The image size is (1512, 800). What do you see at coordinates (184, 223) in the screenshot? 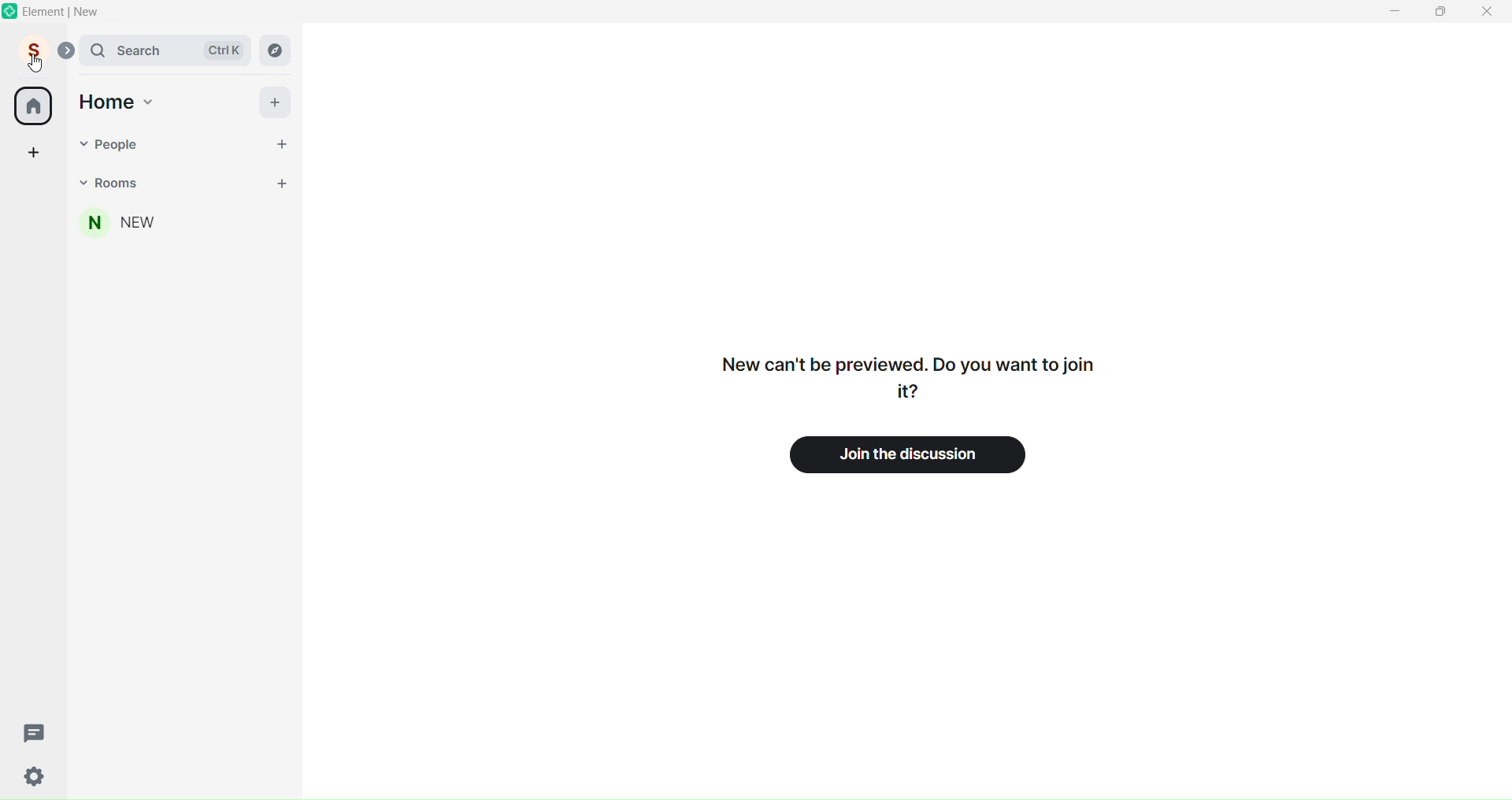
I see `People added to Room` at bounding box center [184, 223].